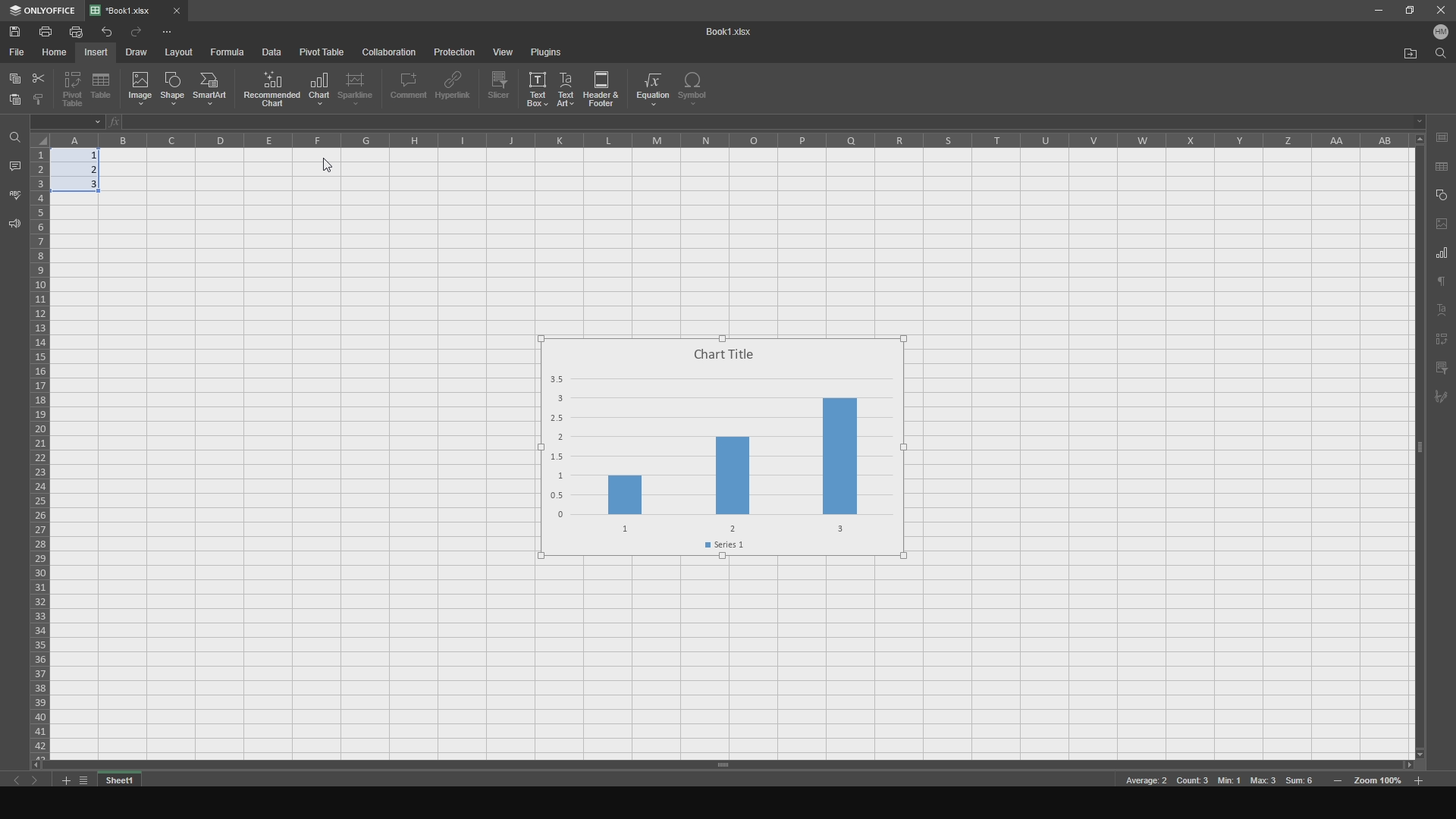 This screenshot has height=819, width=1456. Describe the element at coordinates (1443, 309) in the screenshot. I see `text art` at that location.